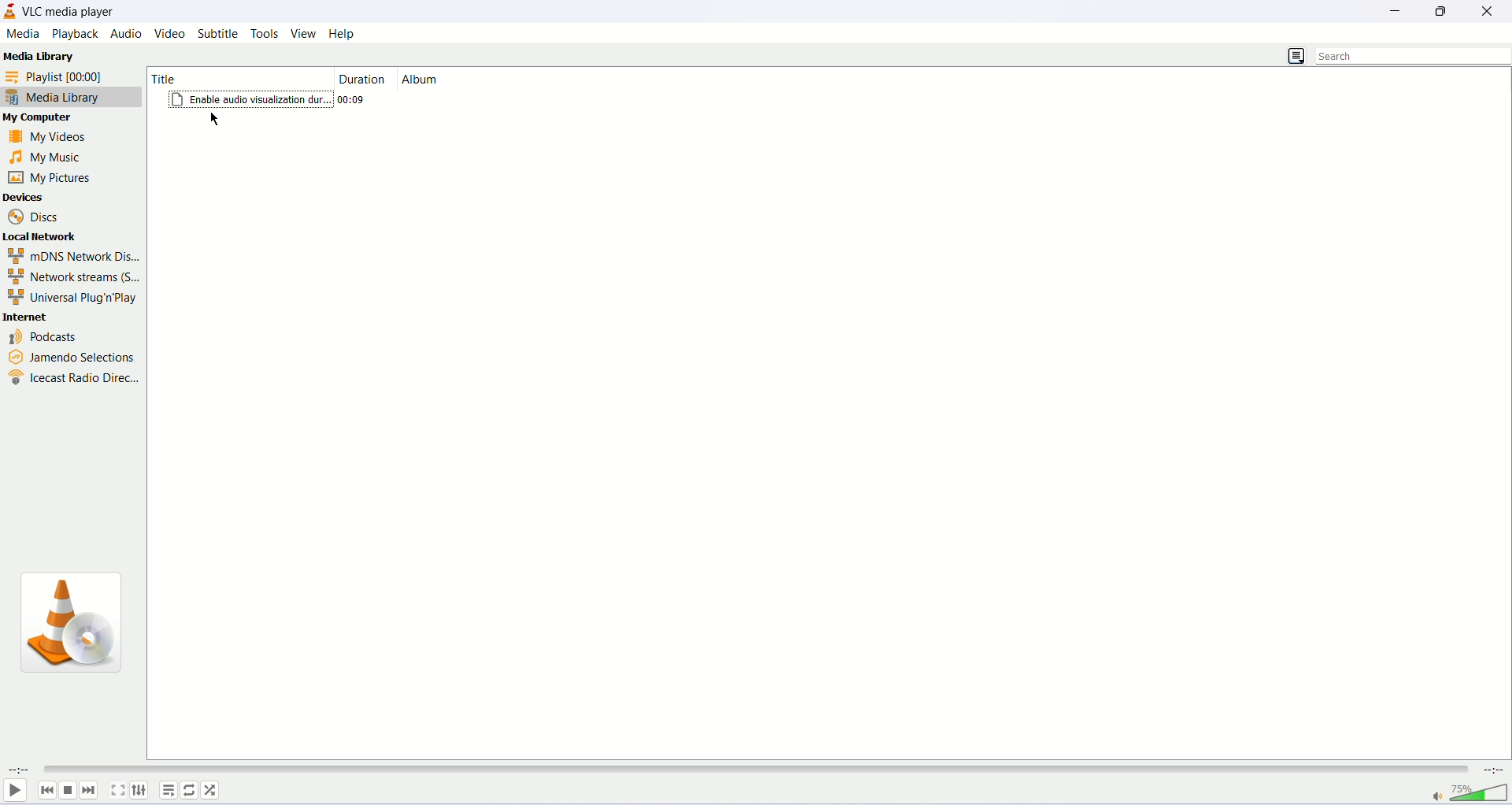 The height and width of the screenshot is (805, 1512). What do you see at coordinates (36, 215) in the screenshot?
I see `discs` at bounding box center [36, 215].